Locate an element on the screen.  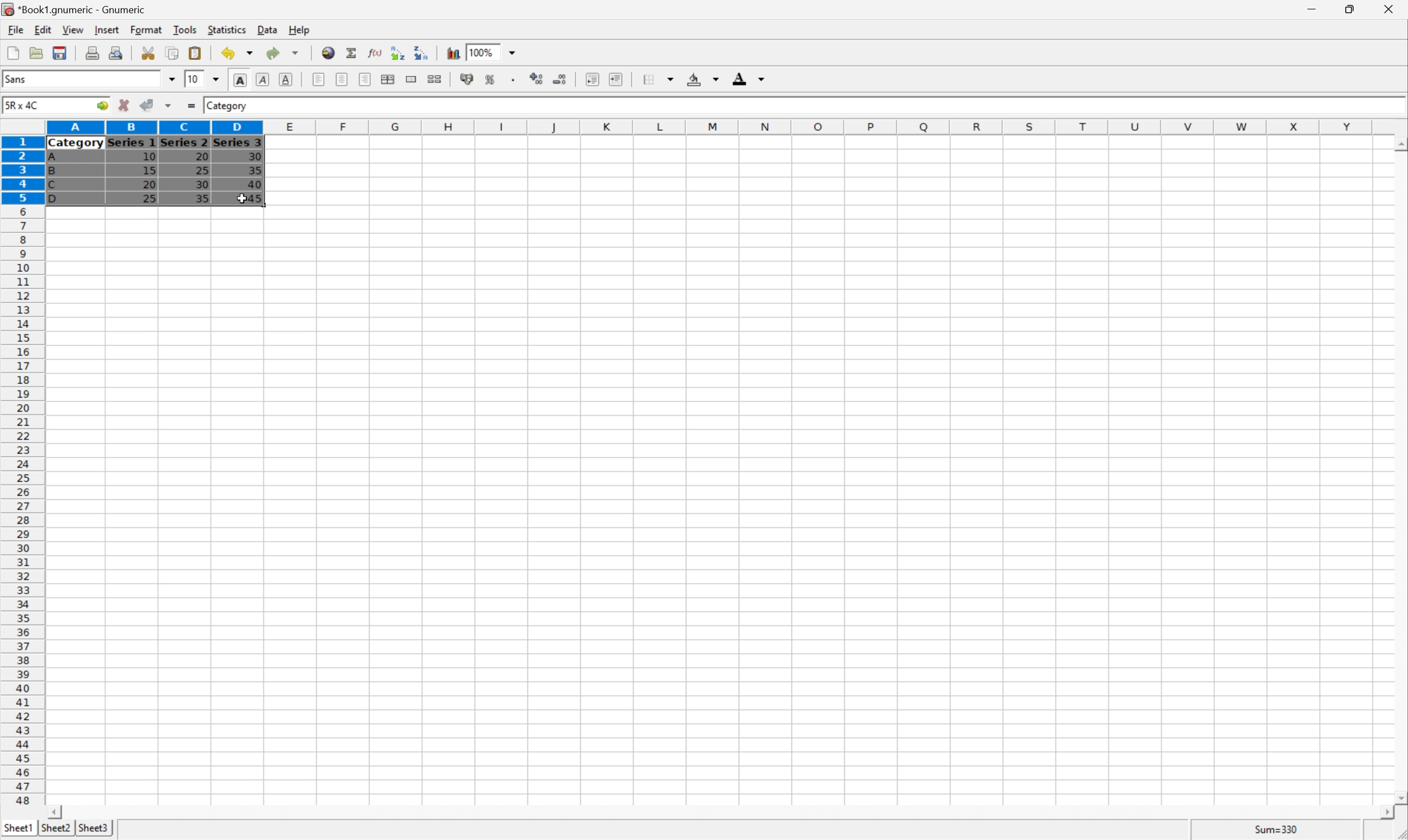
25 is located at coordinates (203, 170).